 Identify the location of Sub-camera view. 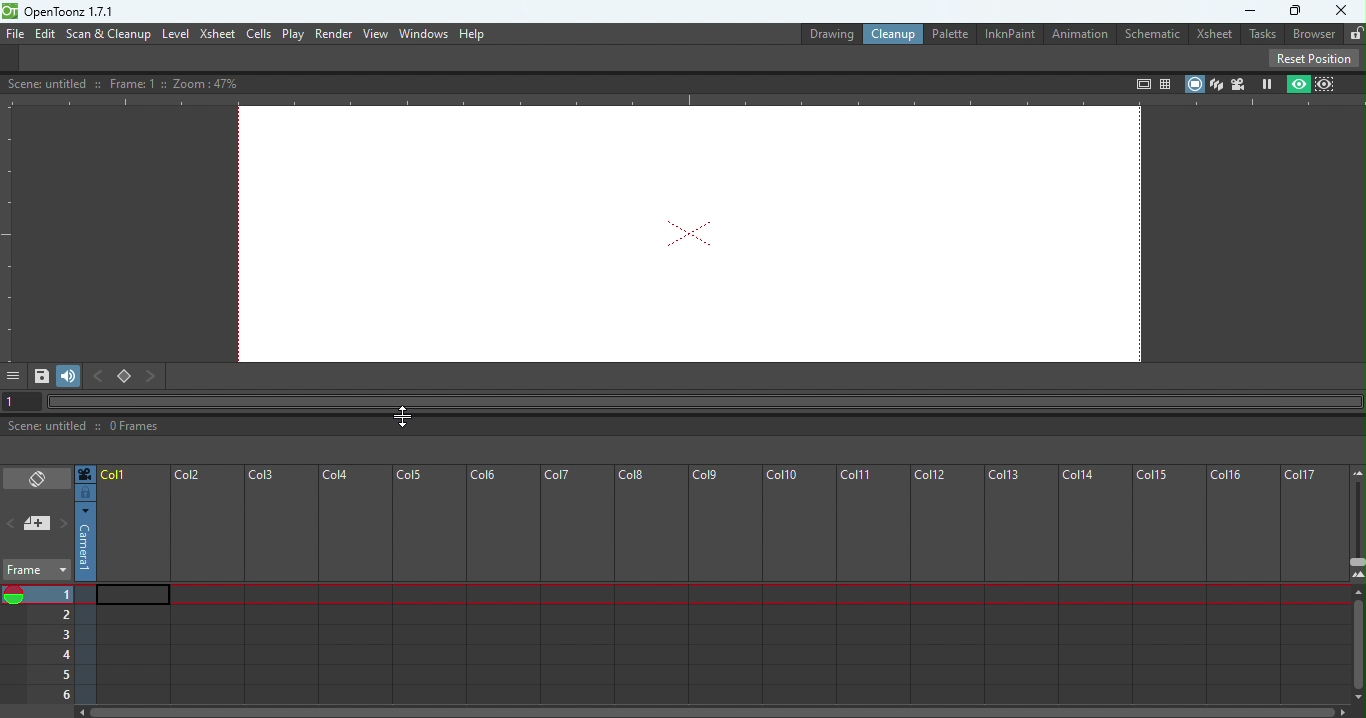
(1328, 82).